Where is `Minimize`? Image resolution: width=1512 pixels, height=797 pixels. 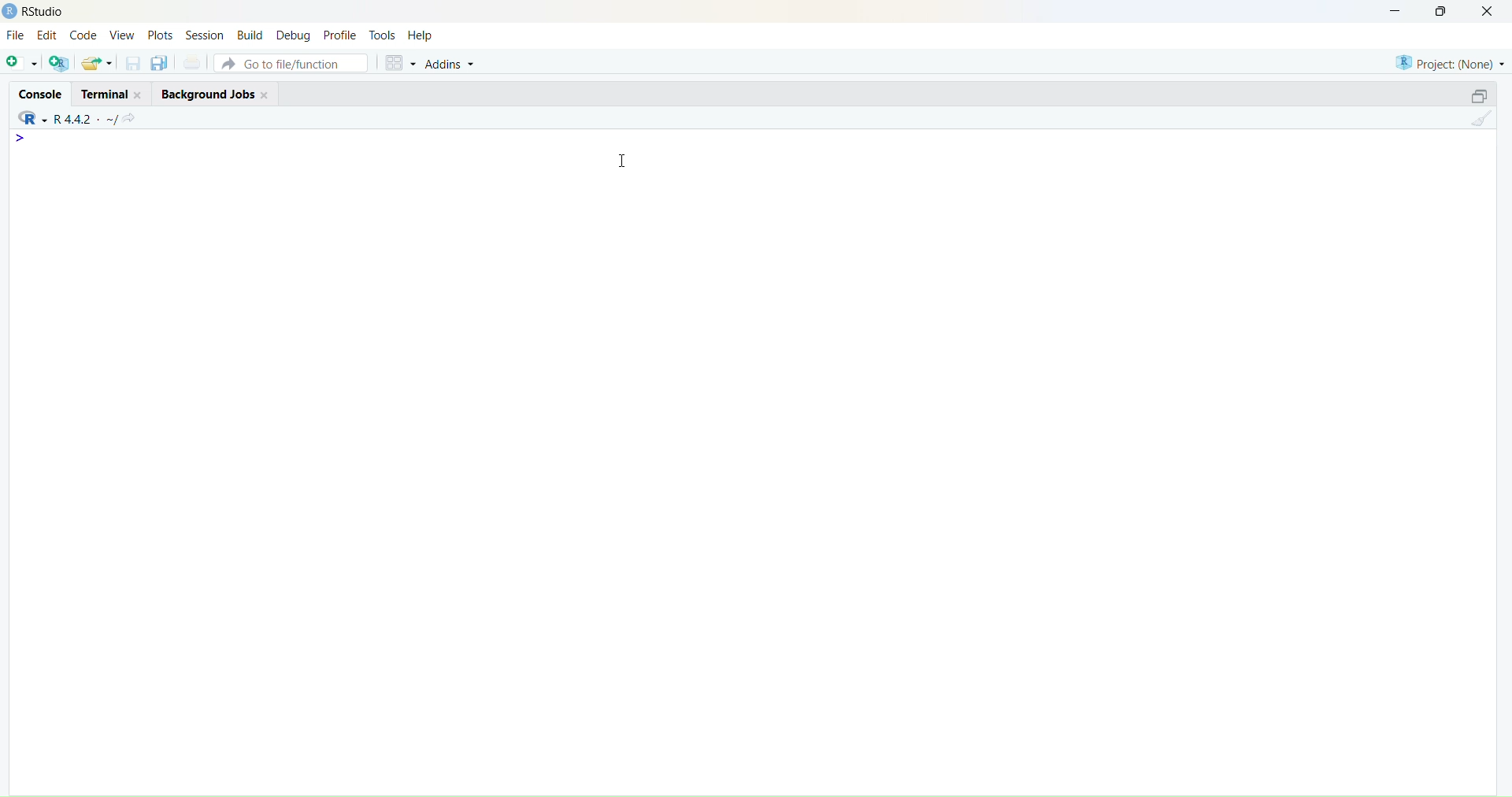
Minimize is located at coordinates (1397, 12).